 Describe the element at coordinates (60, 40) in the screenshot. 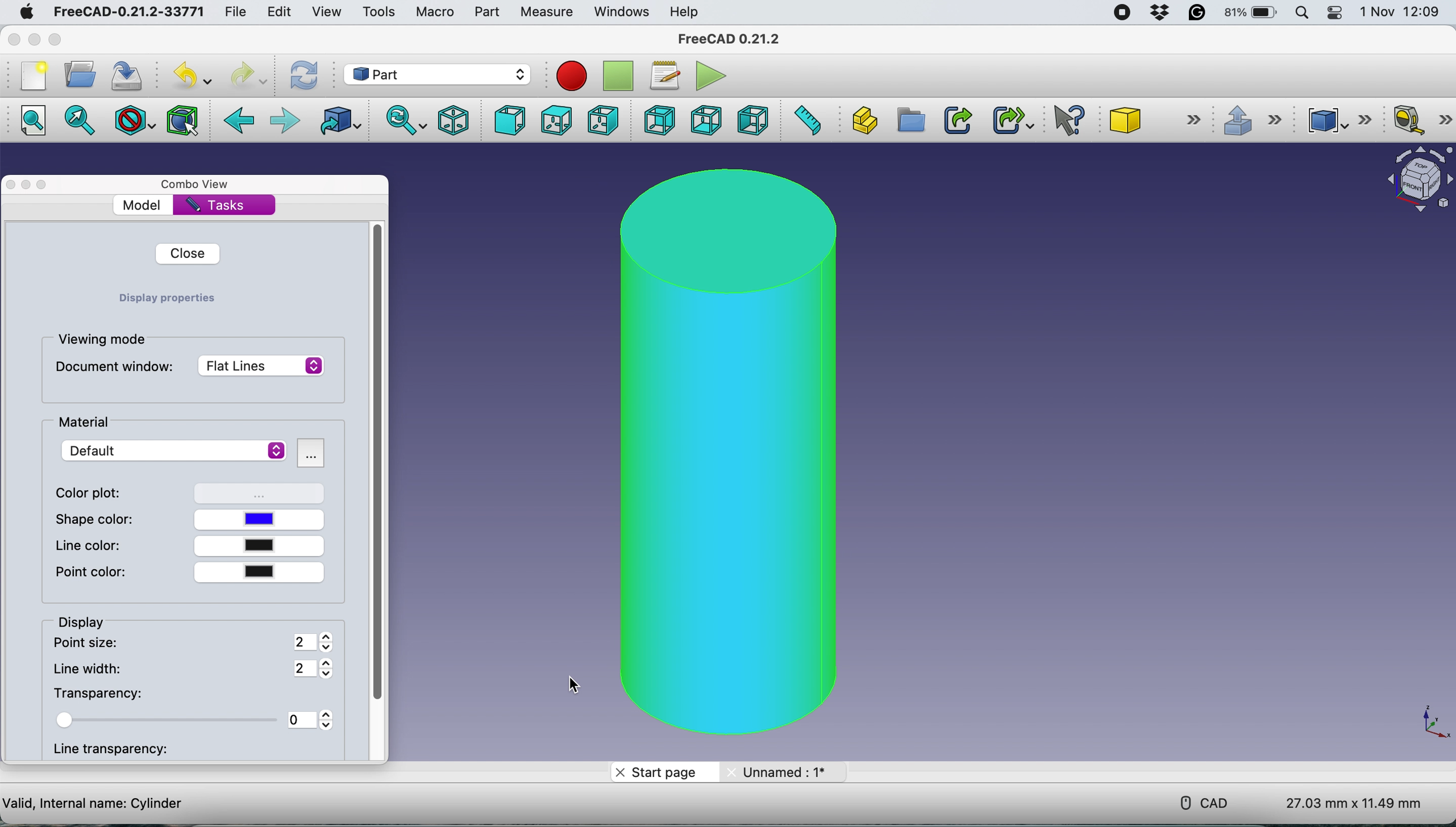

I see `maximise` at that location.